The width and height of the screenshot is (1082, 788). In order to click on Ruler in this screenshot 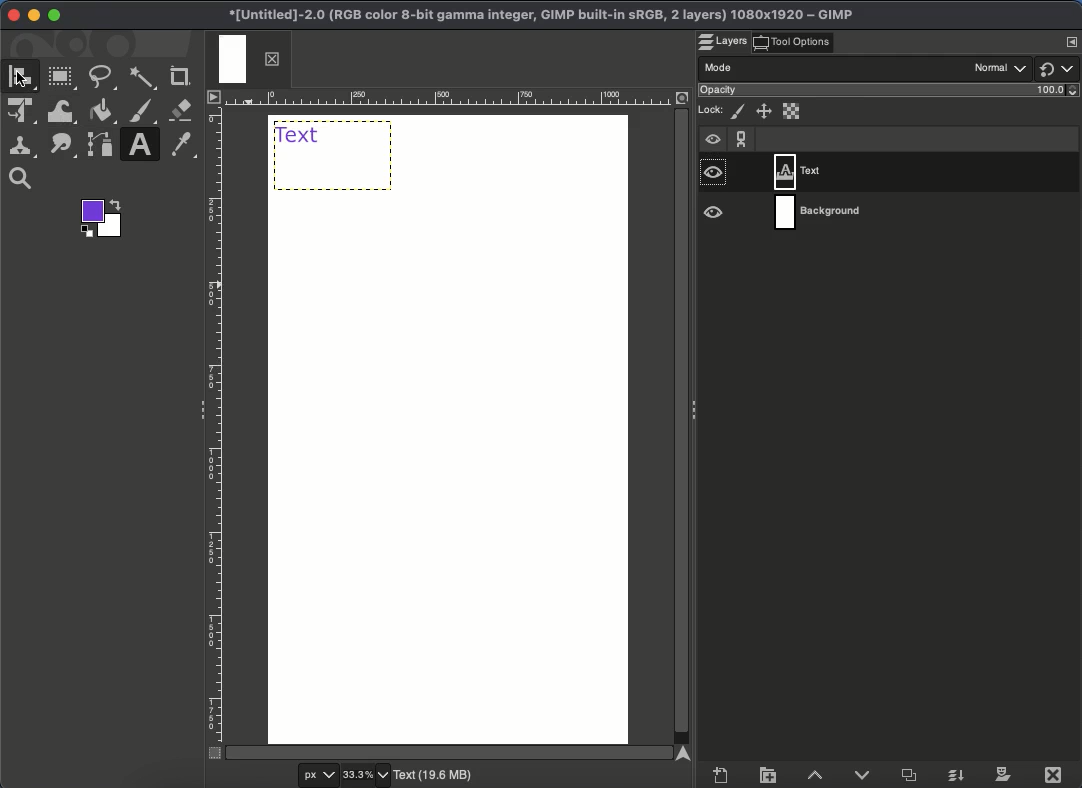, I will do `click(466, 98)`.